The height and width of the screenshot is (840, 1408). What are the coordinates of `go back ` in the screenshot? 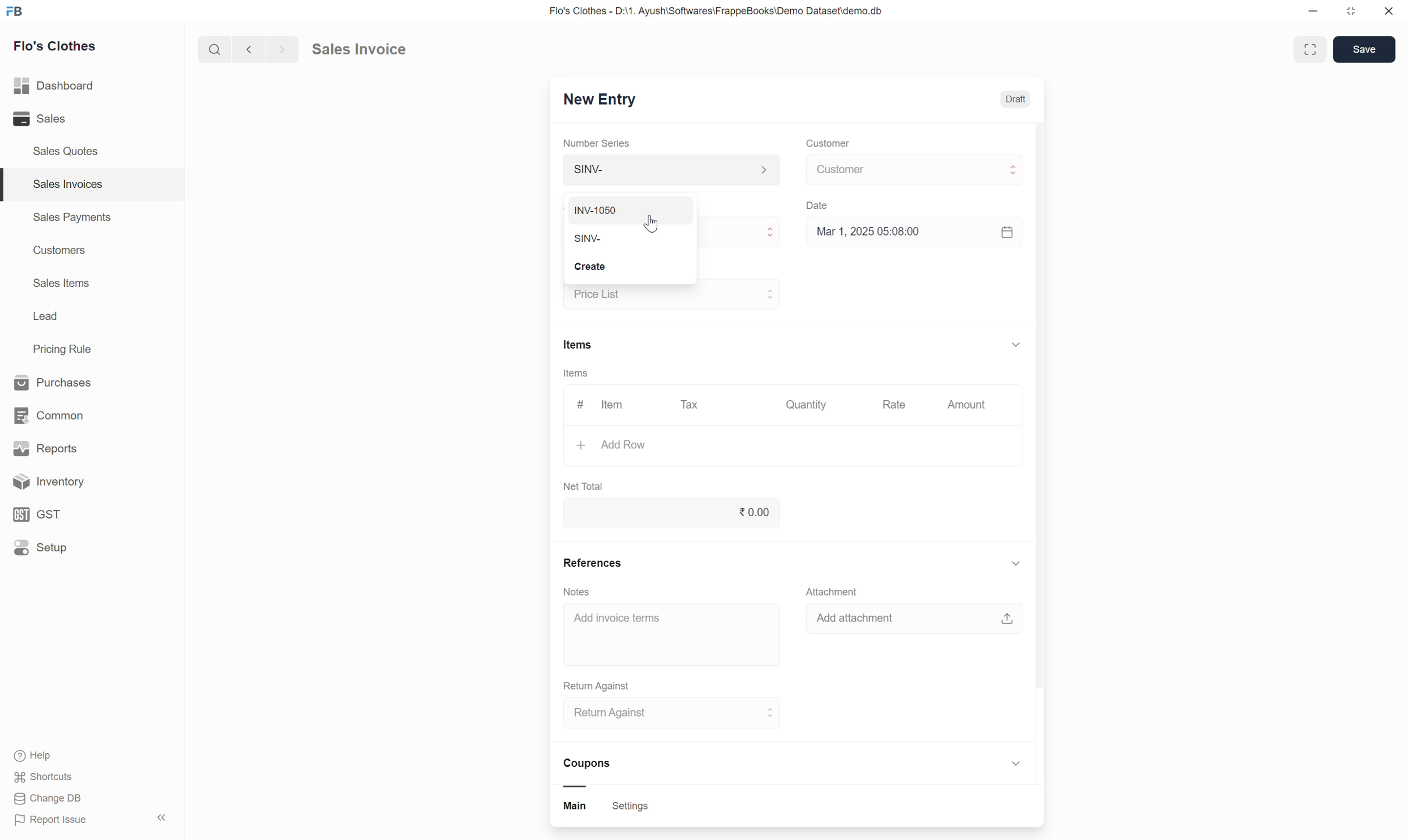 It's located at (248, 52).